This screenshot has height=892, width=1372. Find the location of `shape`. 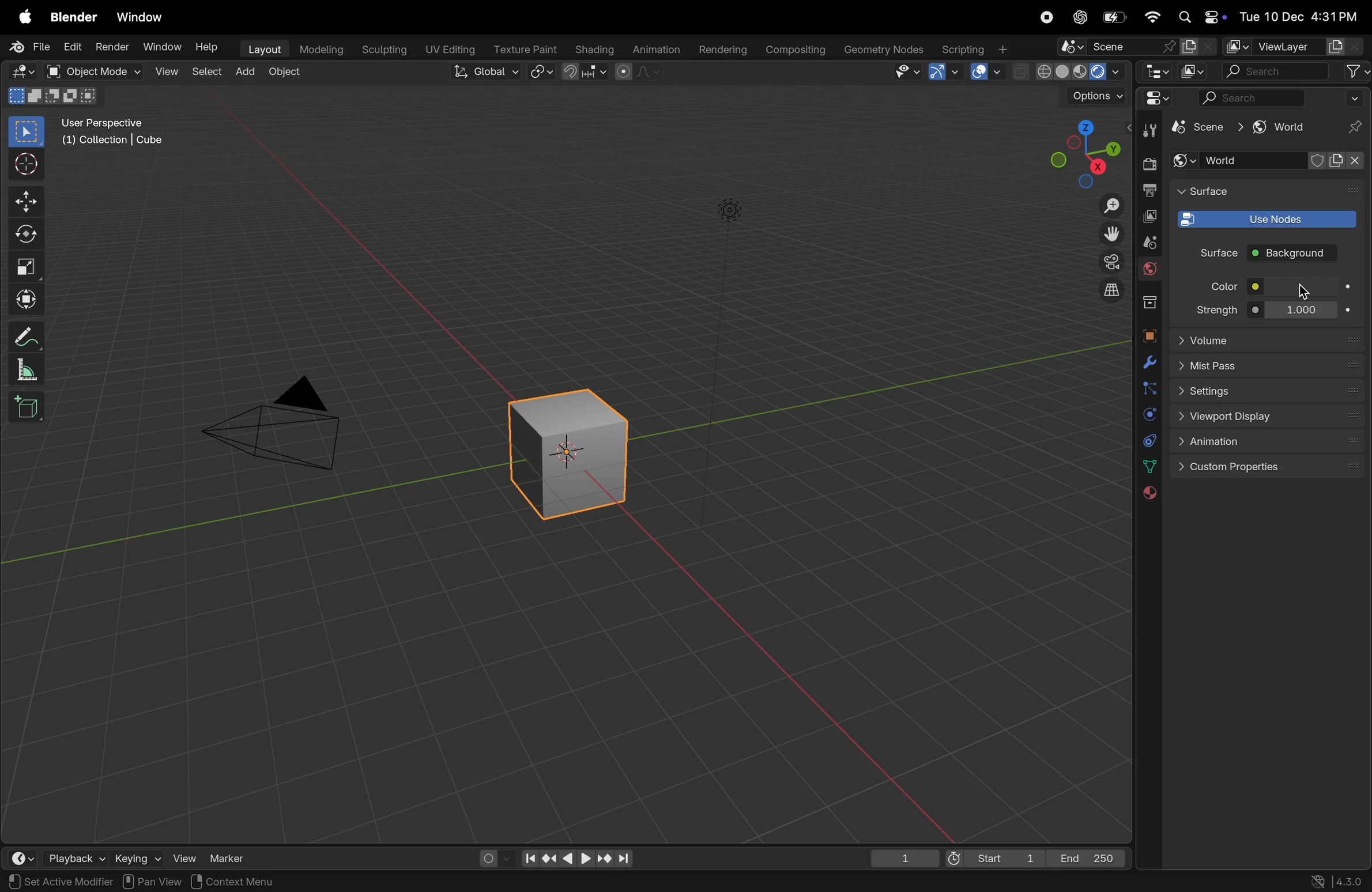

shape is located at coordinates (27, 266).